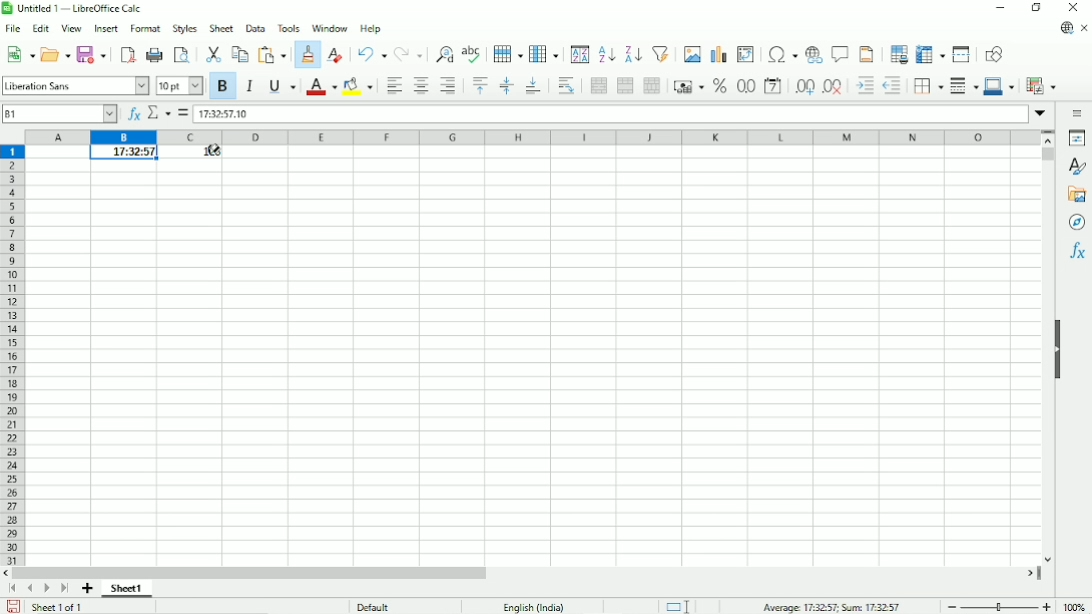  What do you see at coordinates (537, 605) in the screenshot?
I see `English (India)` at bounding box center [537, 605].